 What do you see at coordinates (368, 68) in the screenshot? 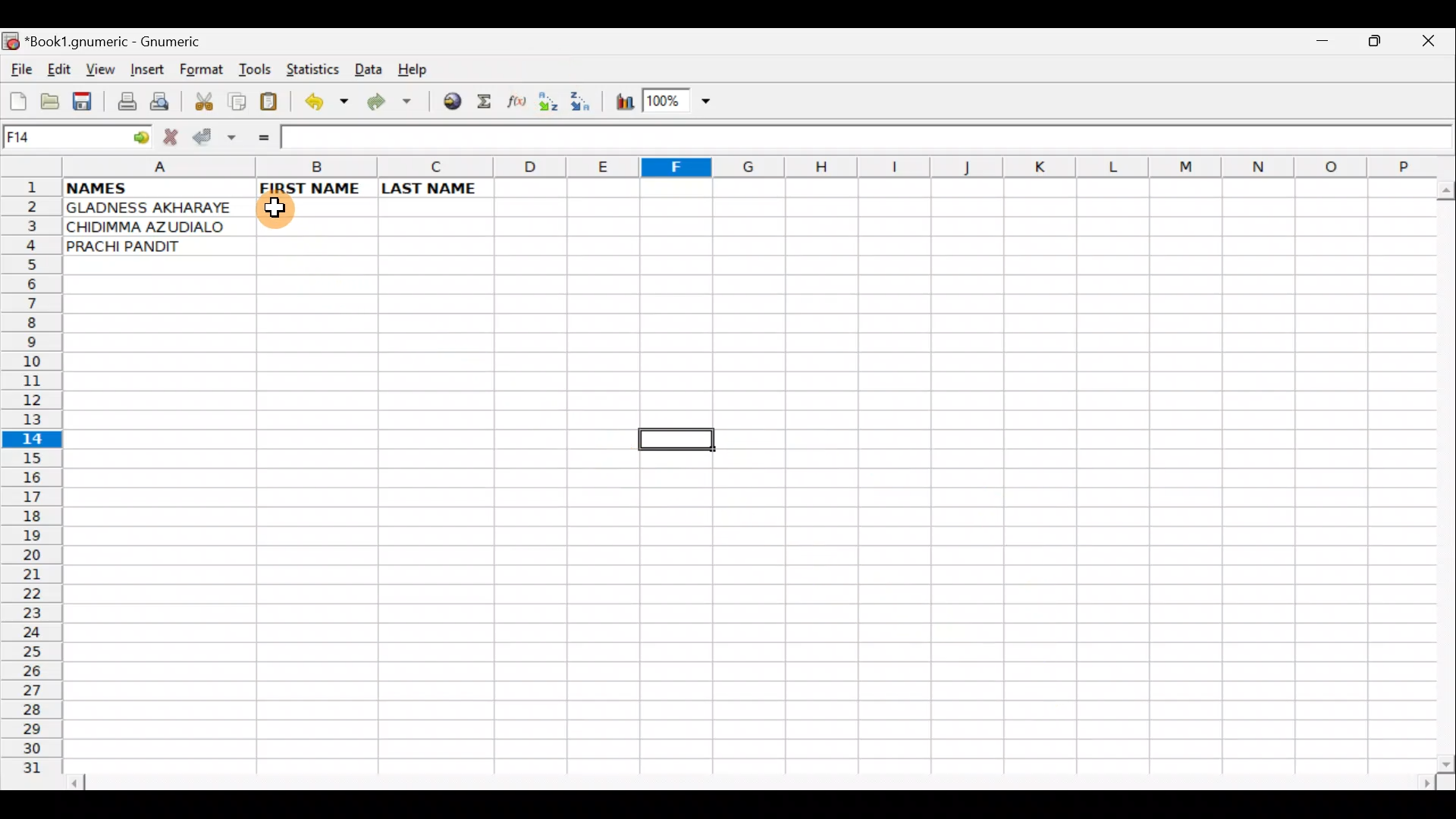
I see `Data` at bounding box center [368, 68].